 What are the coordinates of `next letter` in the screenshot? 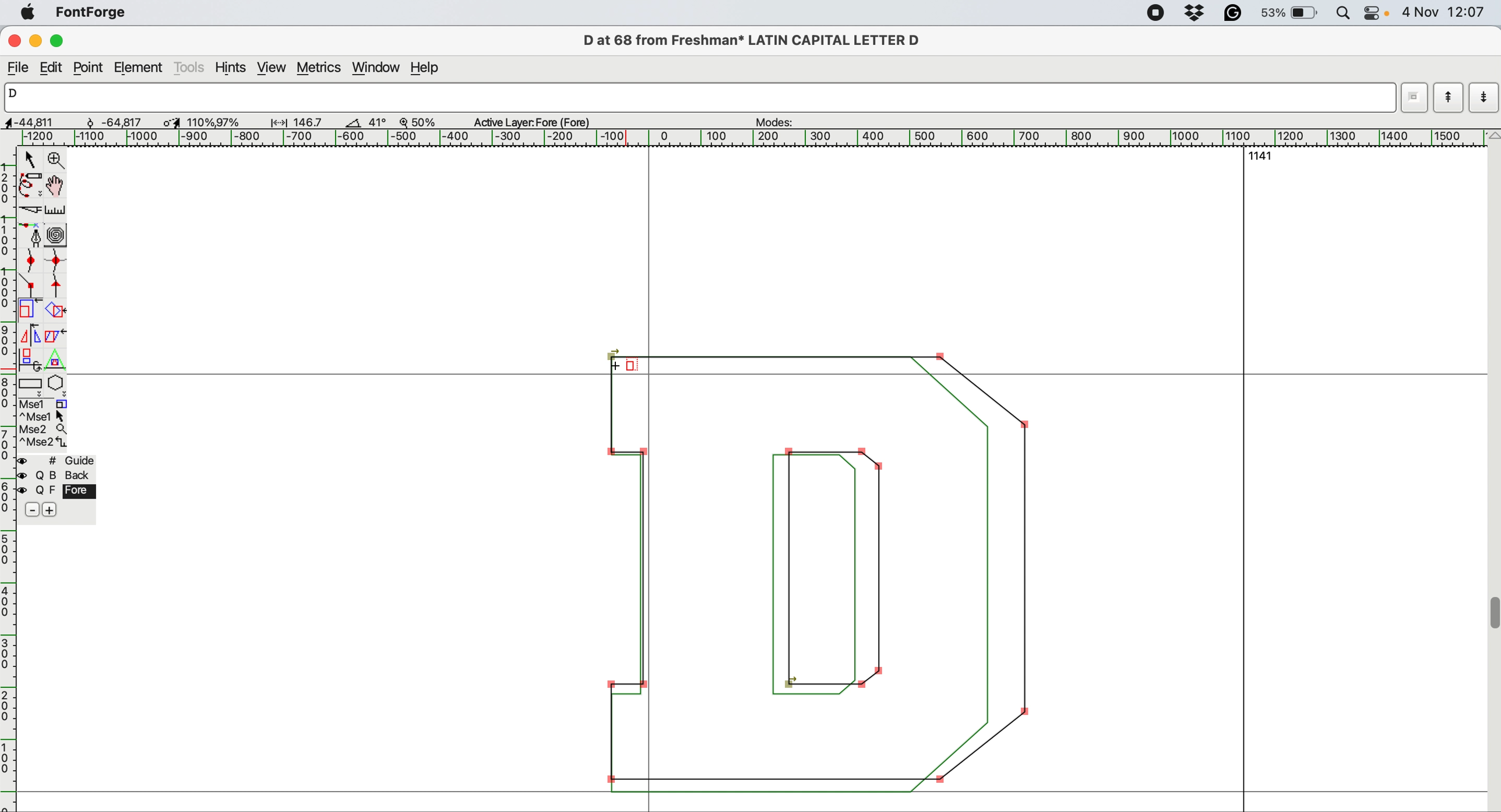 It's located at (1485, 99).